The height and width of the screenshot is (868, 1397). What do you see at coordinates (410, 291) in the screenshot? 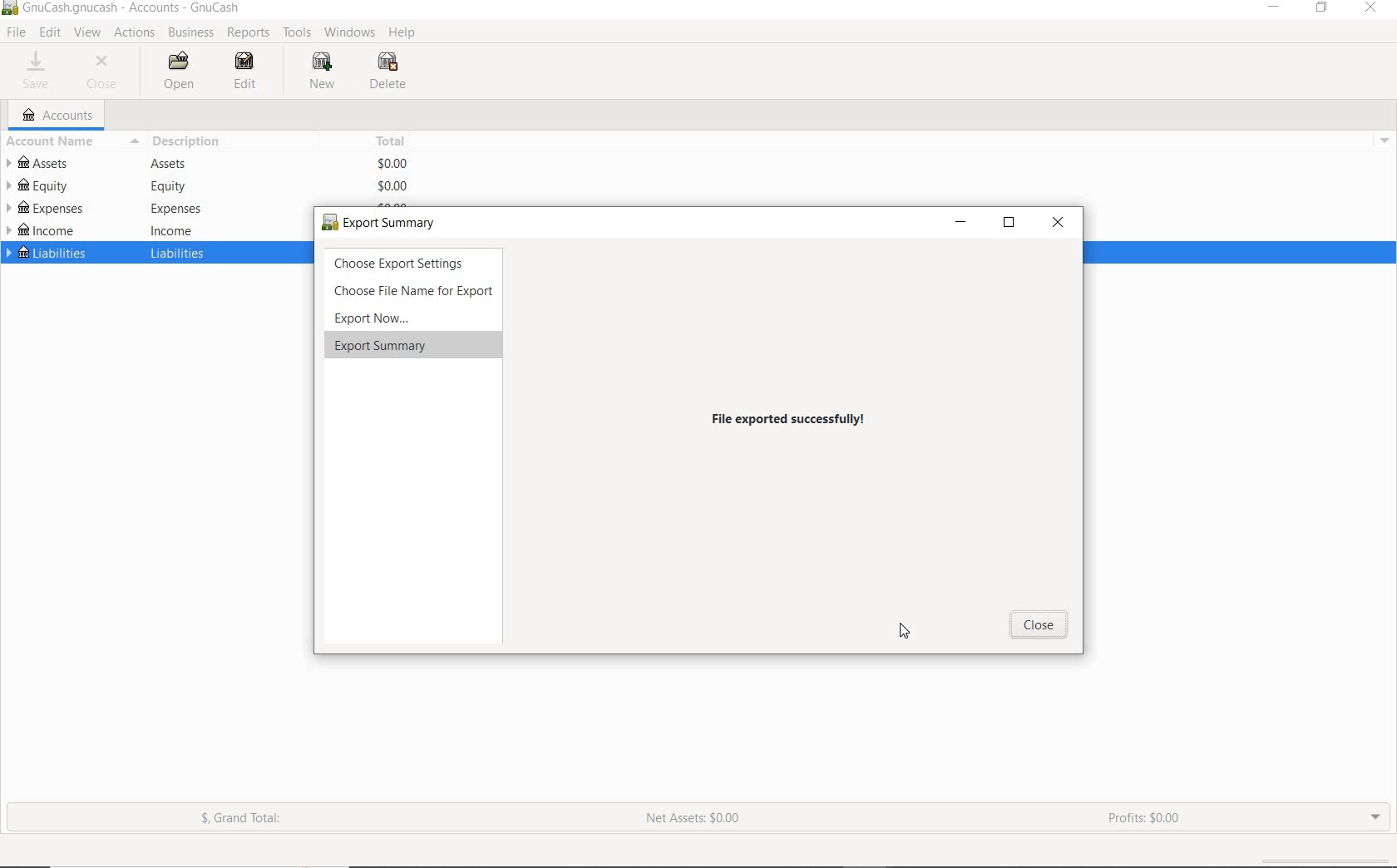
I see `choose File Name for Export` at bounding box center [410, 291].